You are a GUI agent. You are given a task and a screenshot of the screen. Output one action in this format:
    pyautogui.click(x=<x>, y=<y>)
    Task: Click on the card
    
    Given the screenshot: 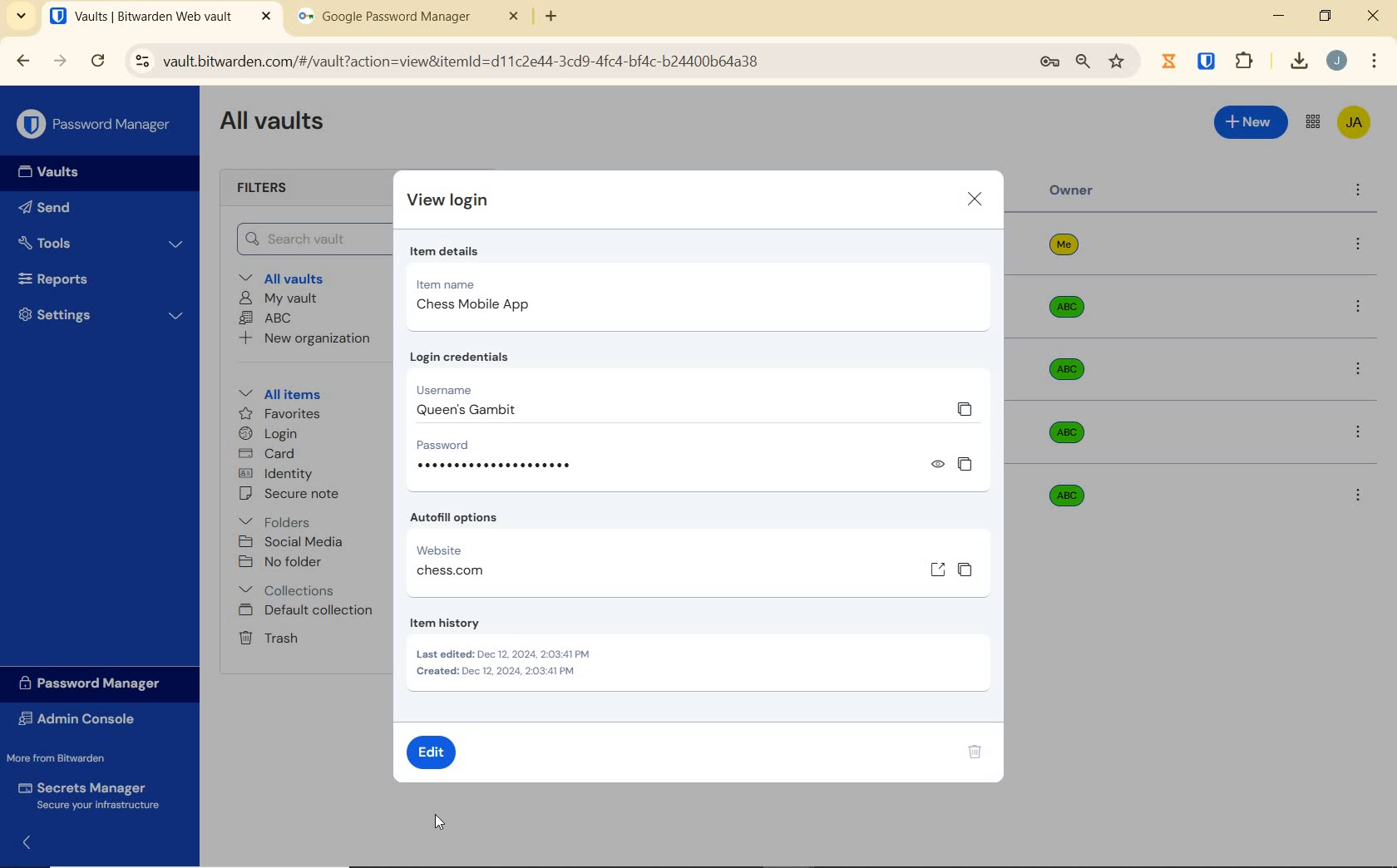 What is the action you would take?
    pyautogui.click(x=266, y=455)
    